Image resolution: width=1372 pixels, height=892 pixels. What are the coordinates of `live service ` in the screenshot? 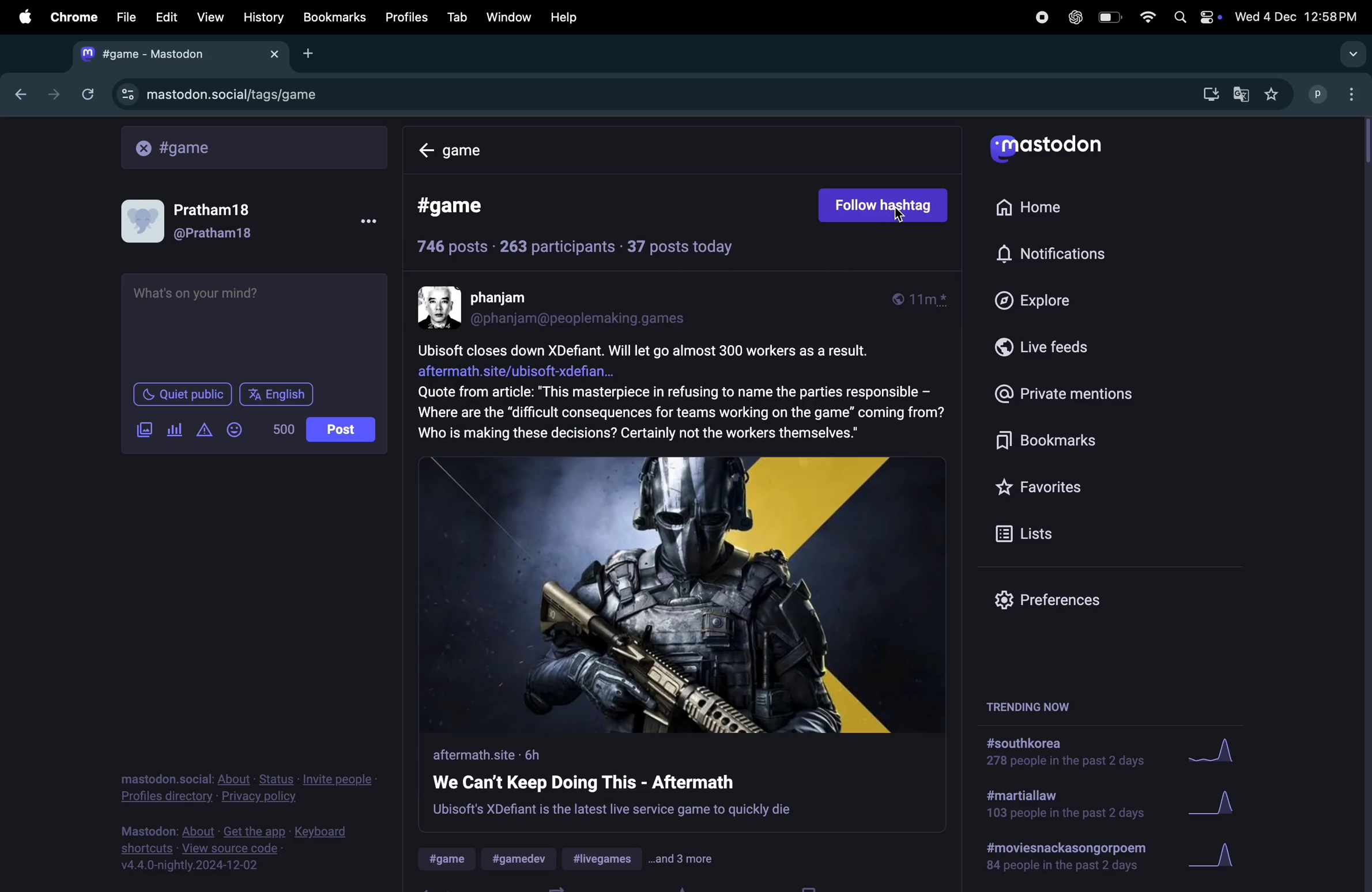 It's located at (613, 811).